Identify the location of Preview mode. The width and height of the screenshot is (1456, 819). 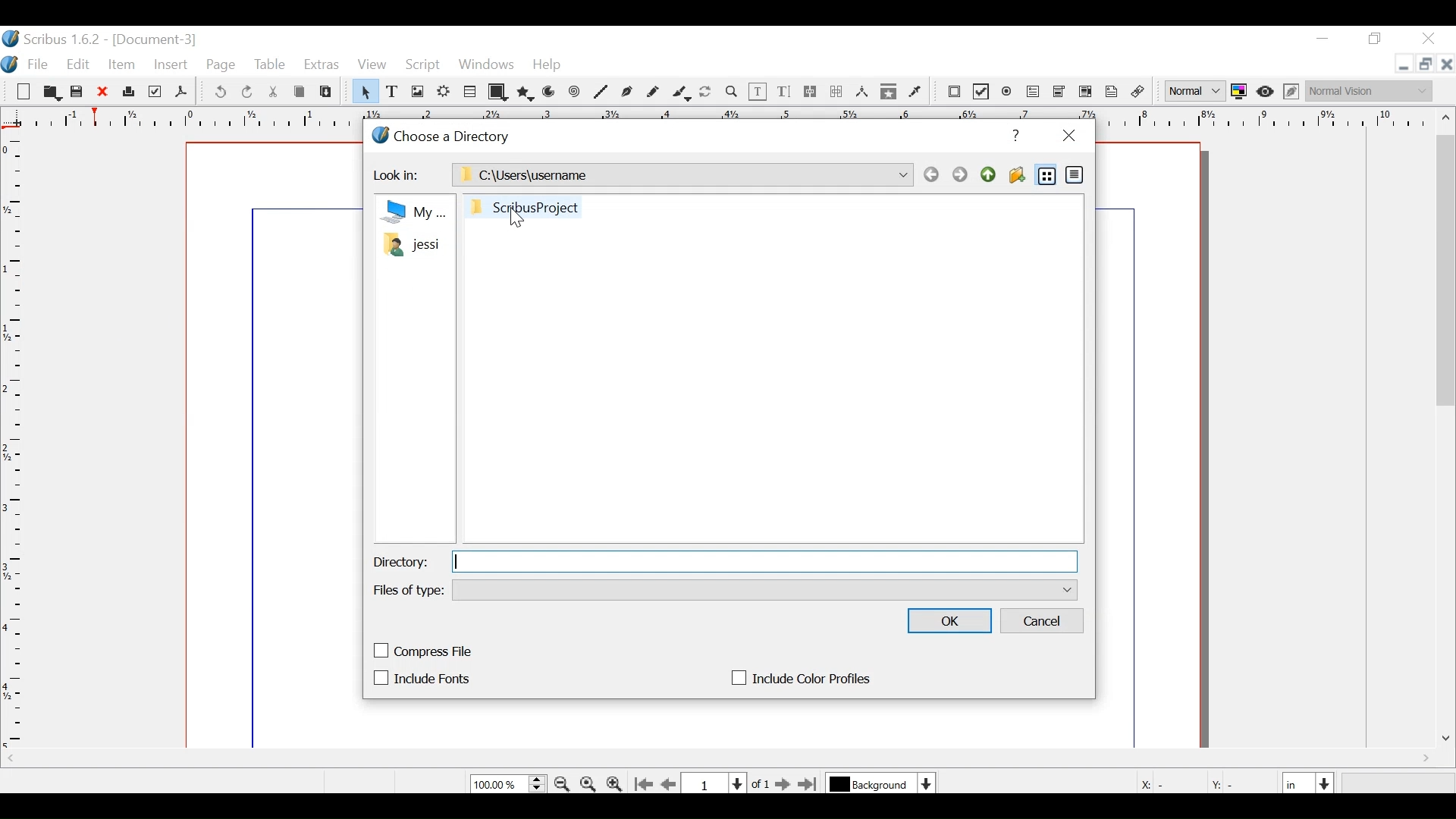
(1266, 93).